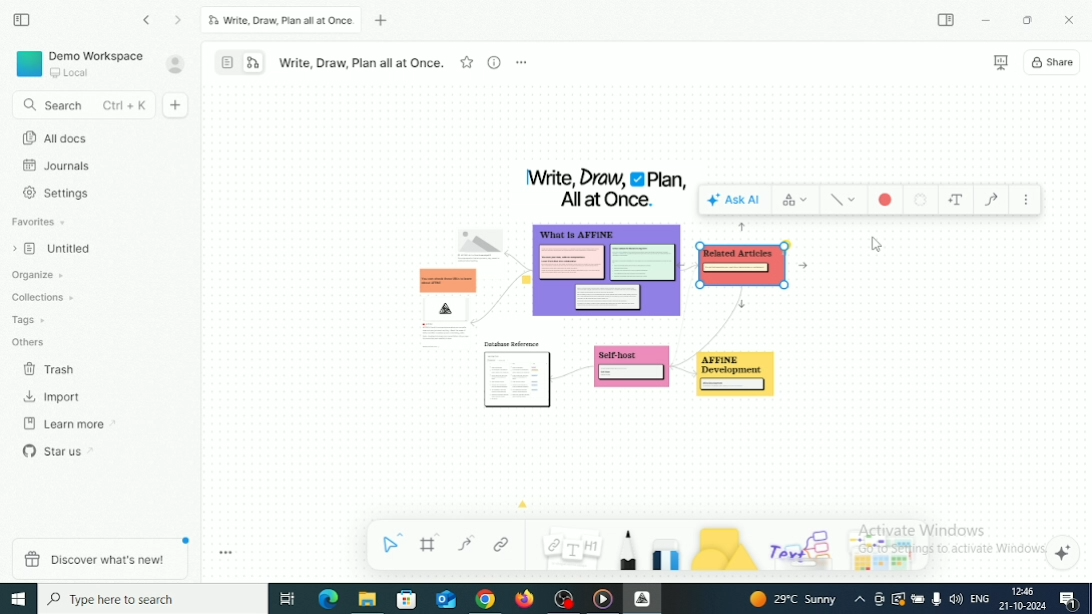  I want to click on Presentation, so click(1000, 63).